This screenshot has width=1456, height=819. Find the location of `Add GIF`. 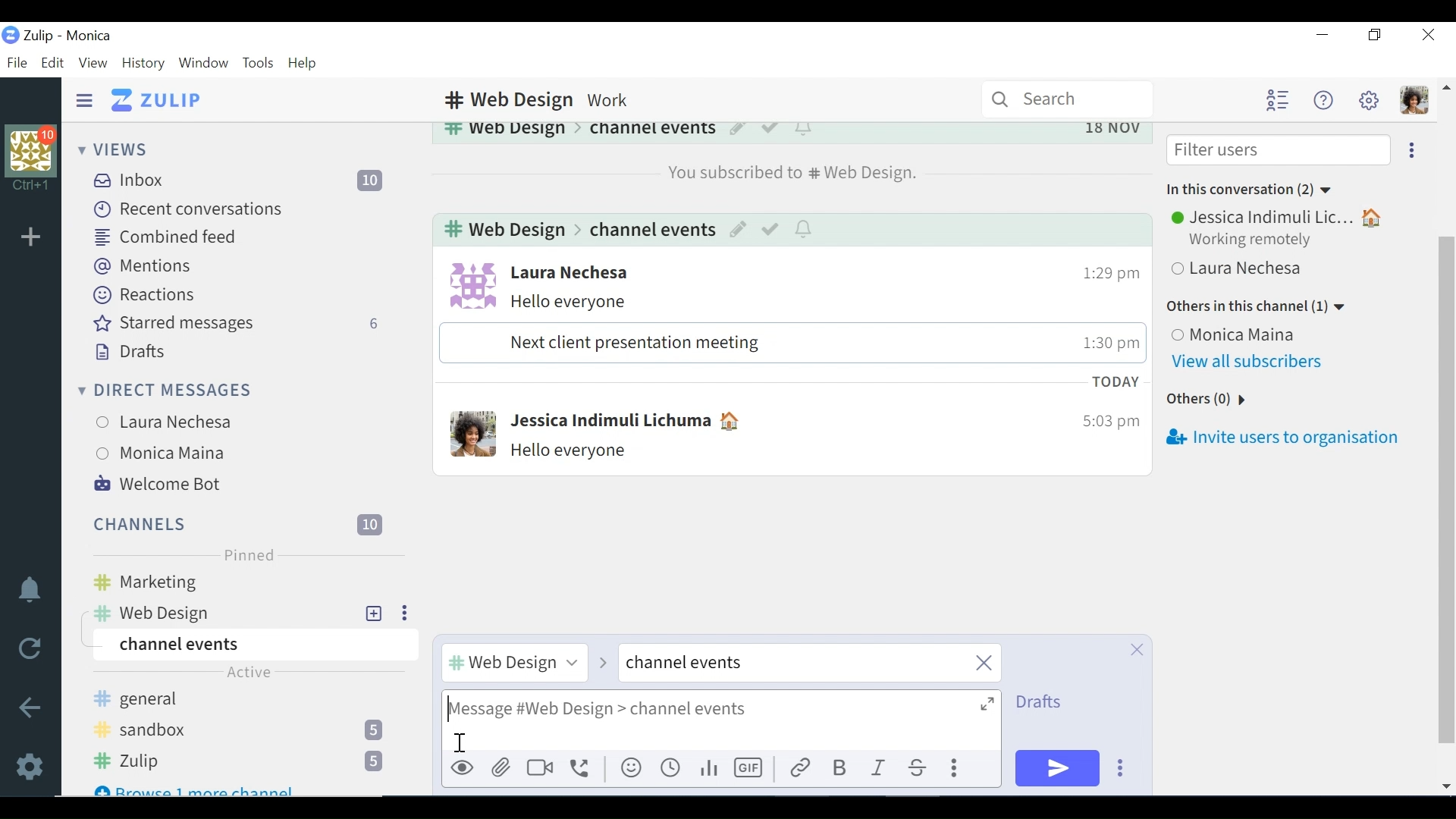

Add GIF is located at coordinates (752, 768).